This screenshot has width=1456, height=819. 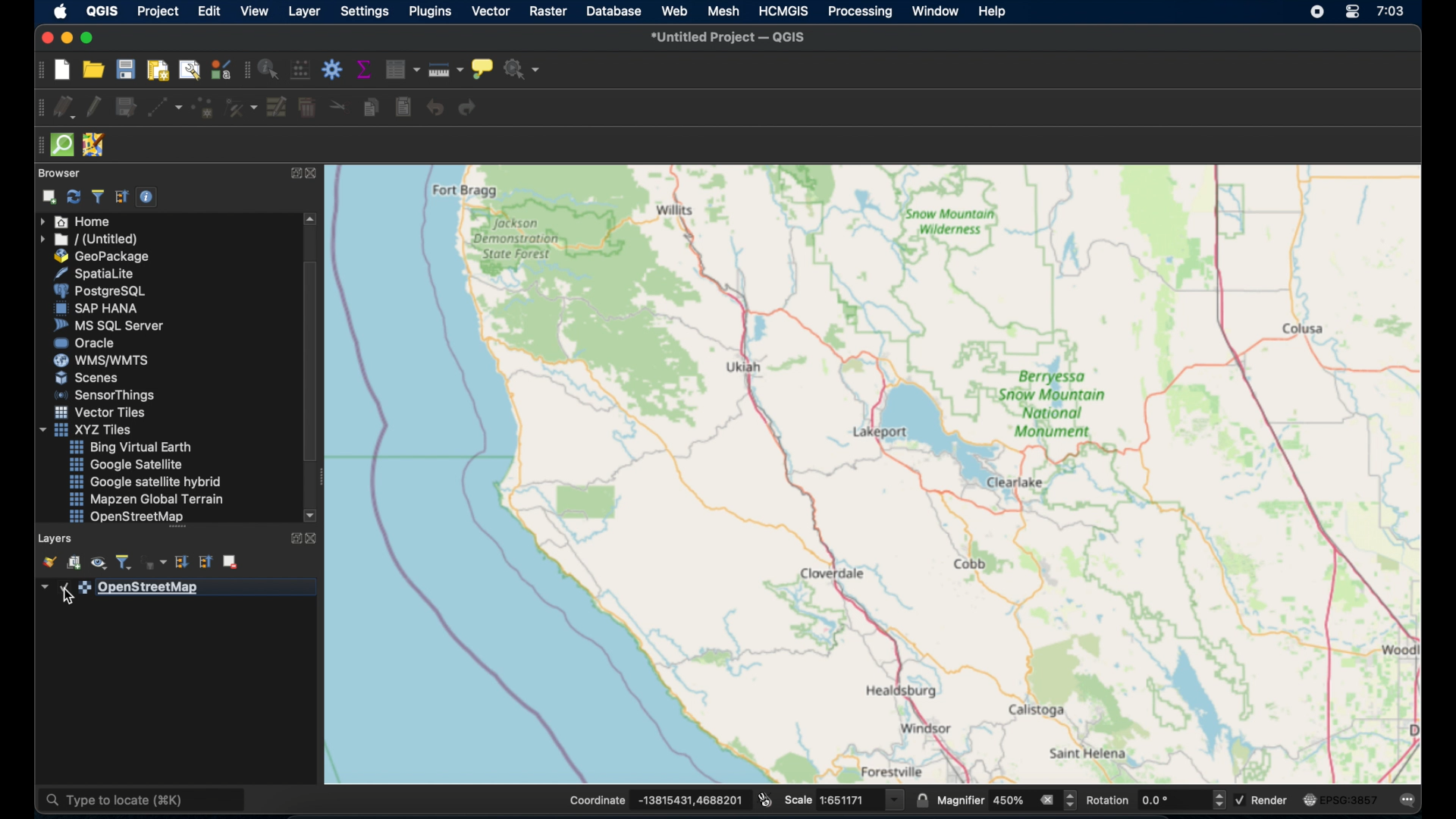 I want to click on scale, so click(x=842, y=800).